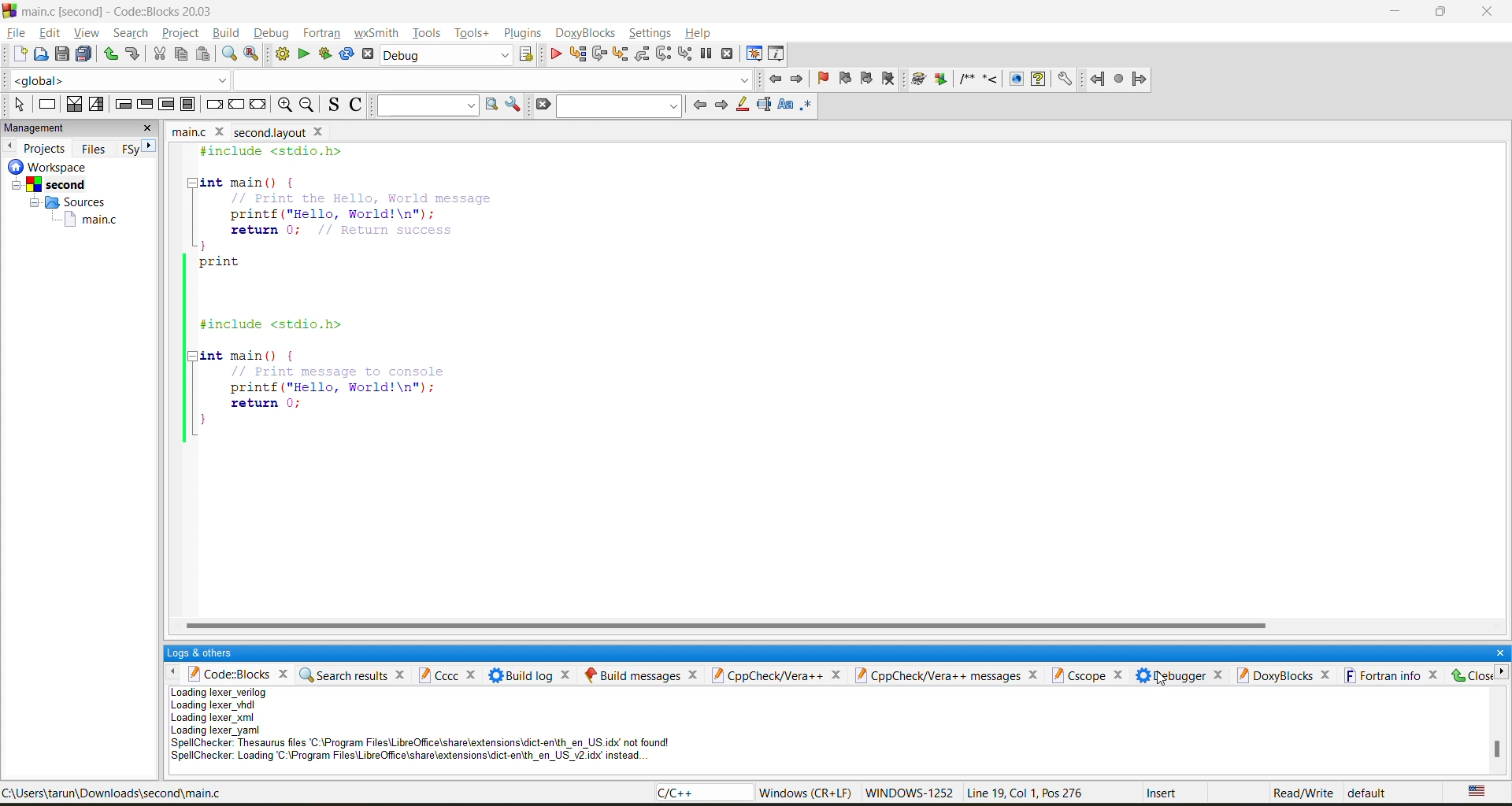 The width and height of the screenshot is (1512, 806). What do you see at coordinates (448, 54) in the screenshot?
I see `build target` at bounding box center [448, 54].